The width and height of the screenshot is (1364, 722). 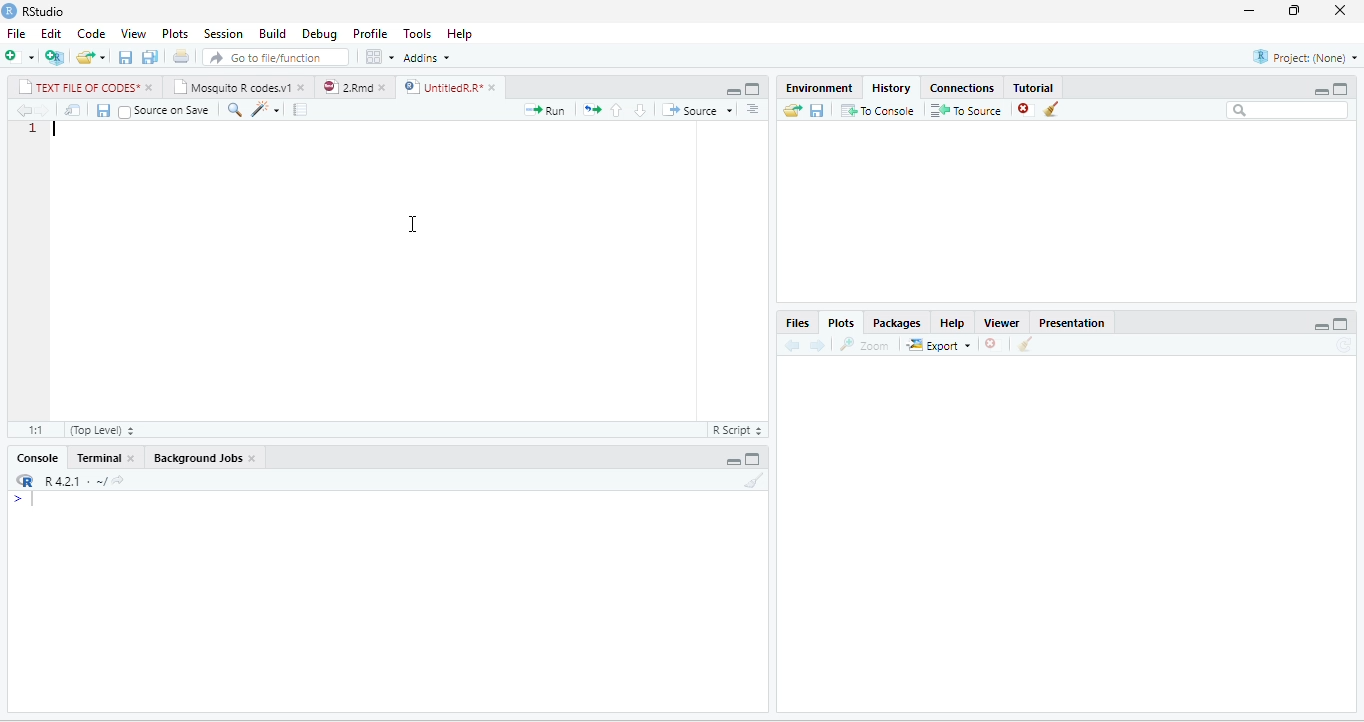 I want to click on open folder, so click(x=793, y=110).